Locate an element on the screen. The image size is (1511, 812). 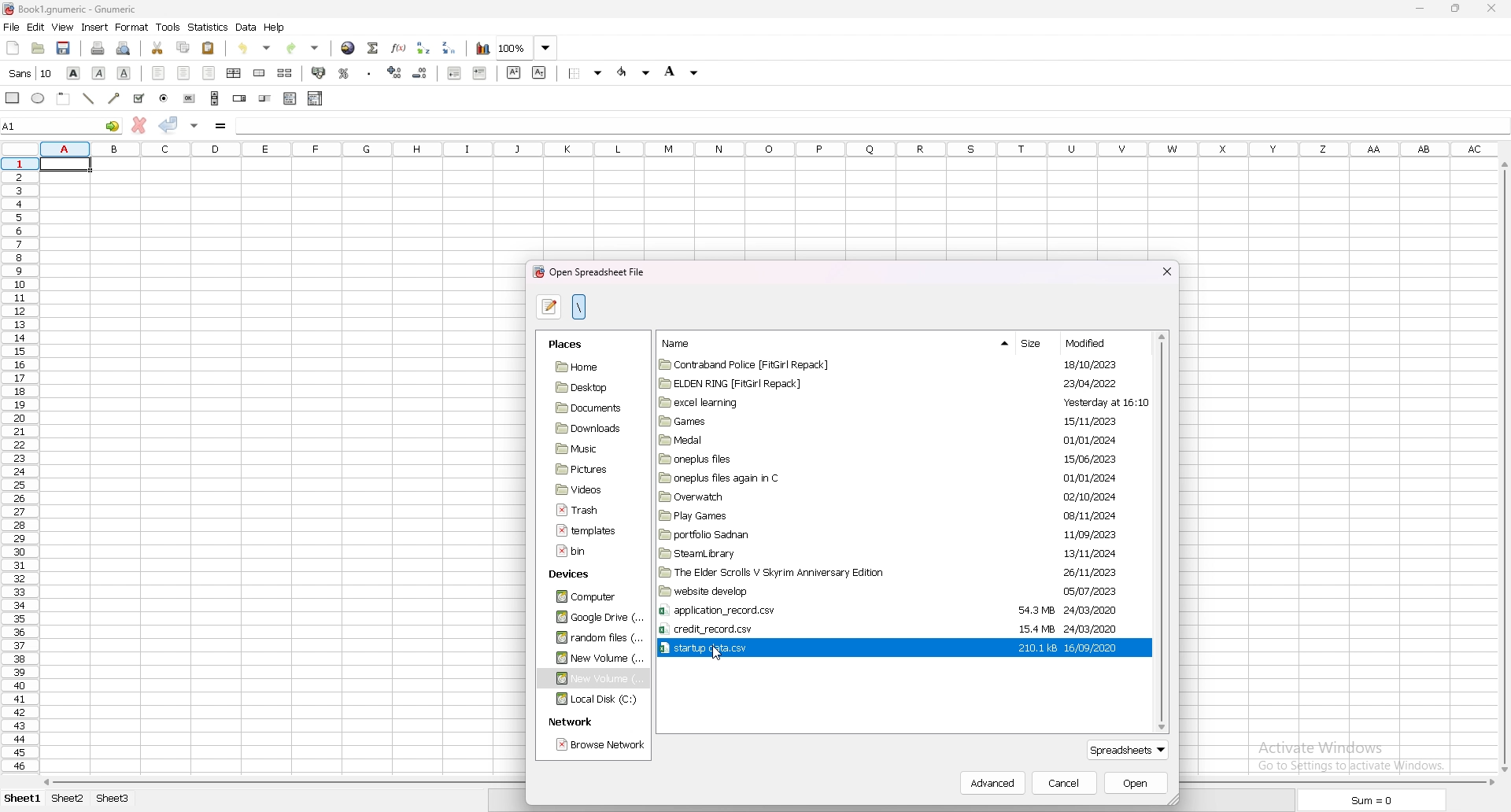
frame is located at coordinates (9, 99).